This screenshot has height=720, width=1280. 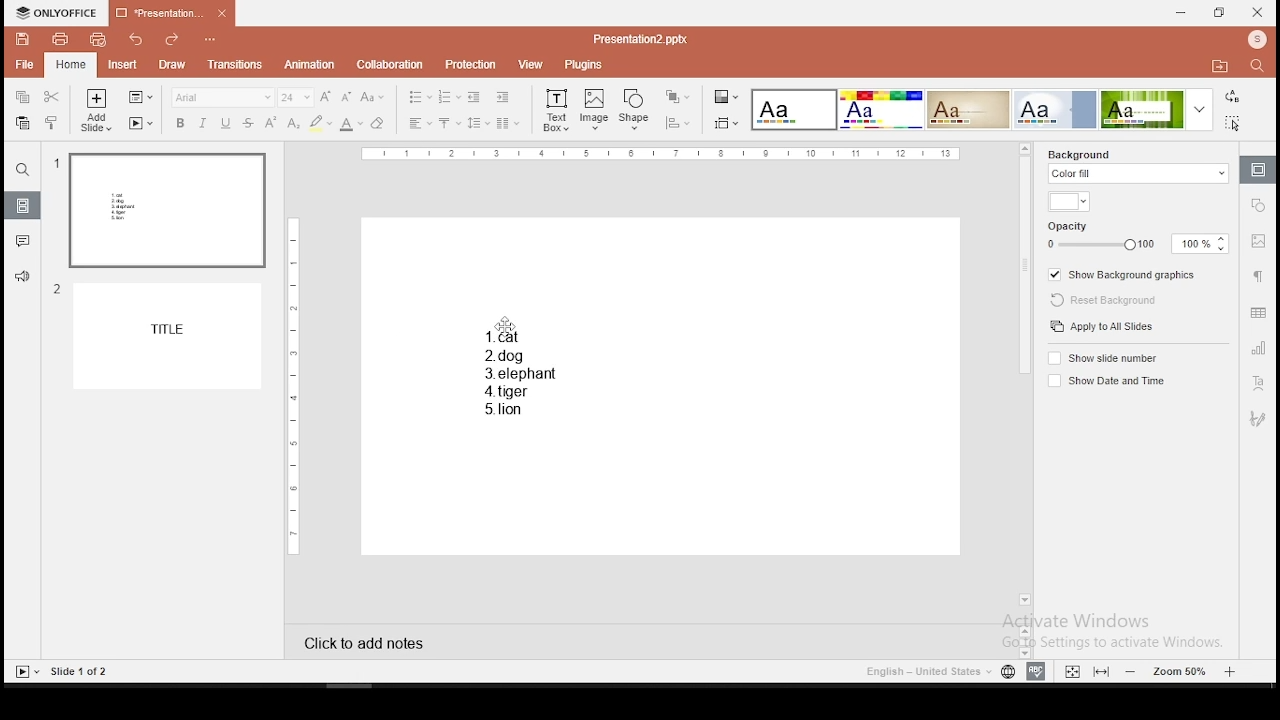 I want to click on search, so click(x=1261, y=68).